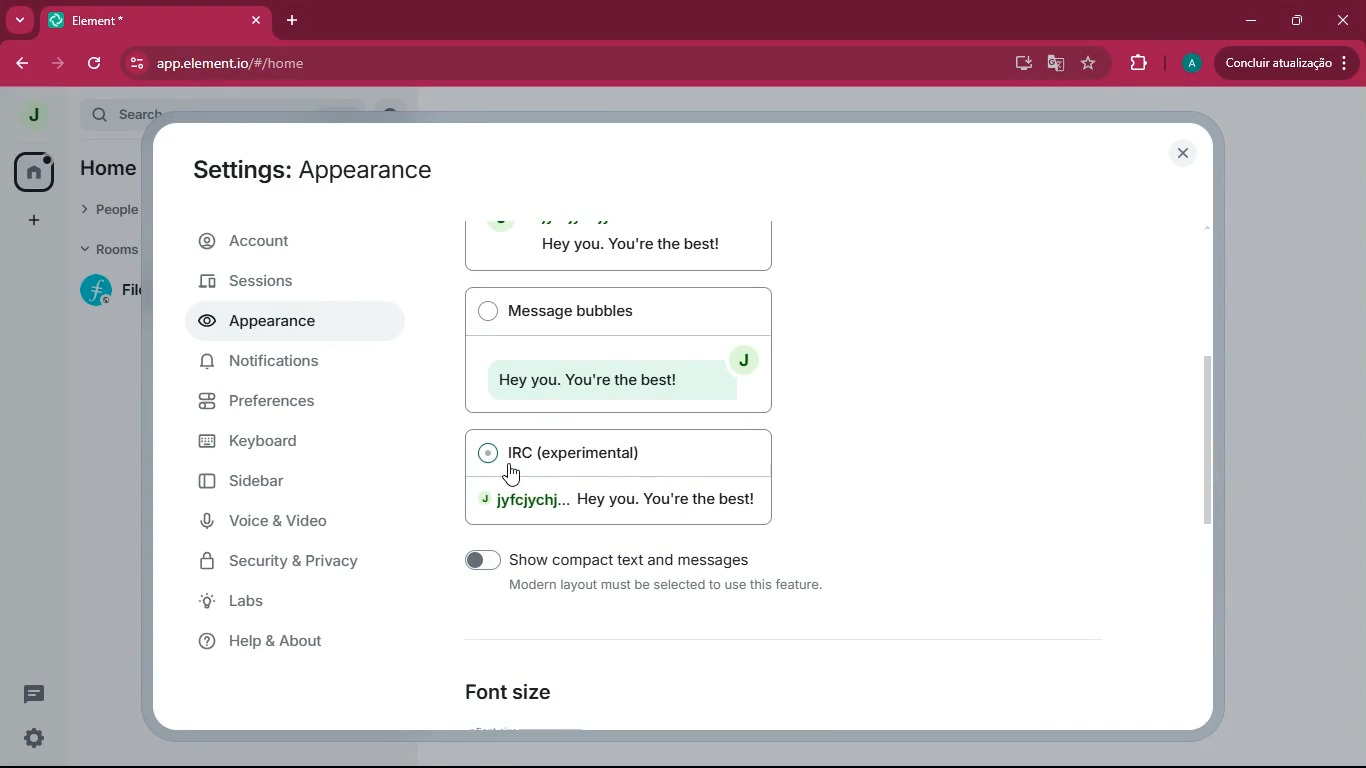 Image resolution: width=1366 pixels, height=768 pixels. I want to click on scroll bar, so click(1209, 436).